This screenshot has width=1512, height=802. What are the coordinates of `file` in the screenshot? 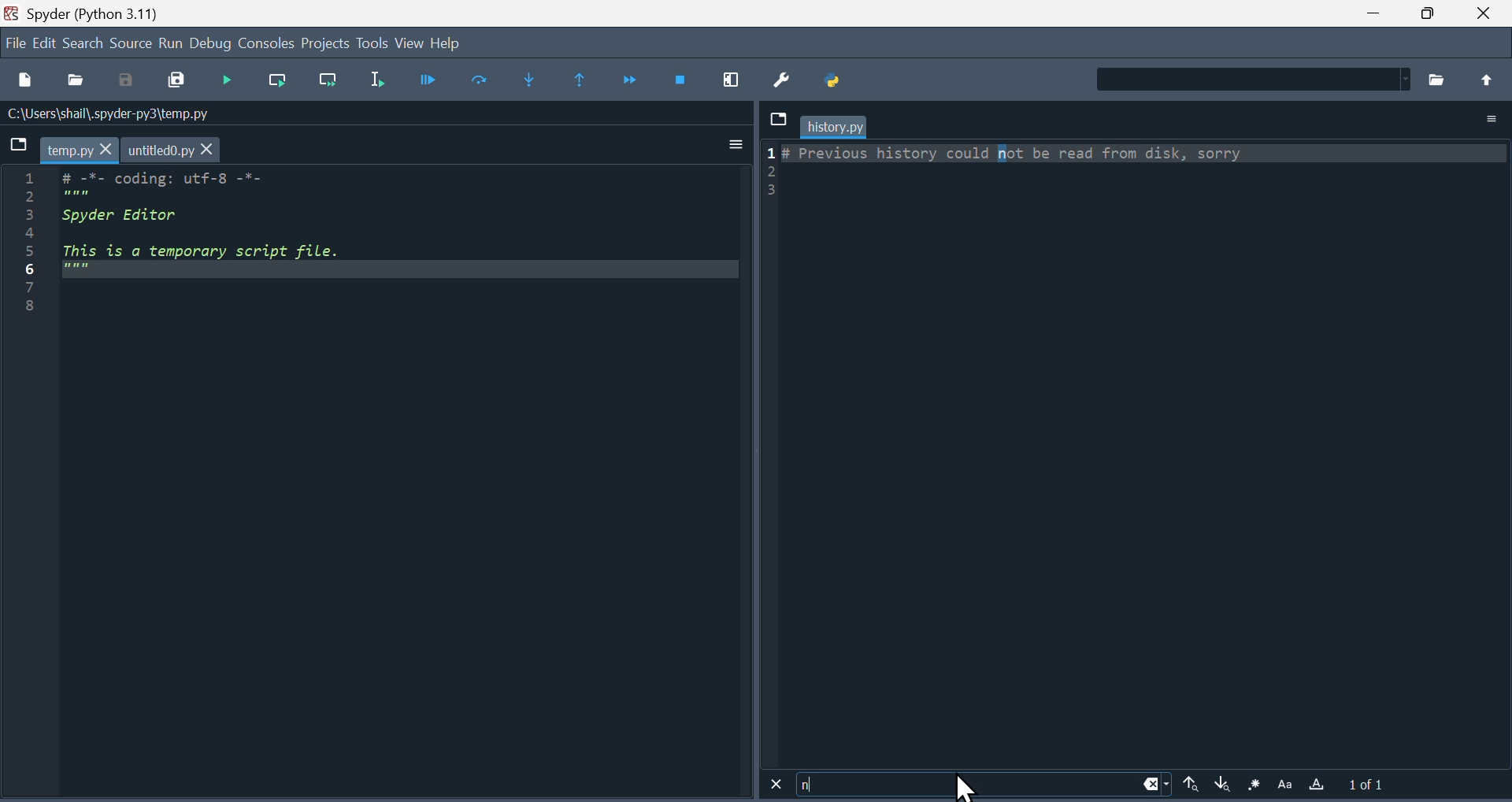 It's located at (15, 39).